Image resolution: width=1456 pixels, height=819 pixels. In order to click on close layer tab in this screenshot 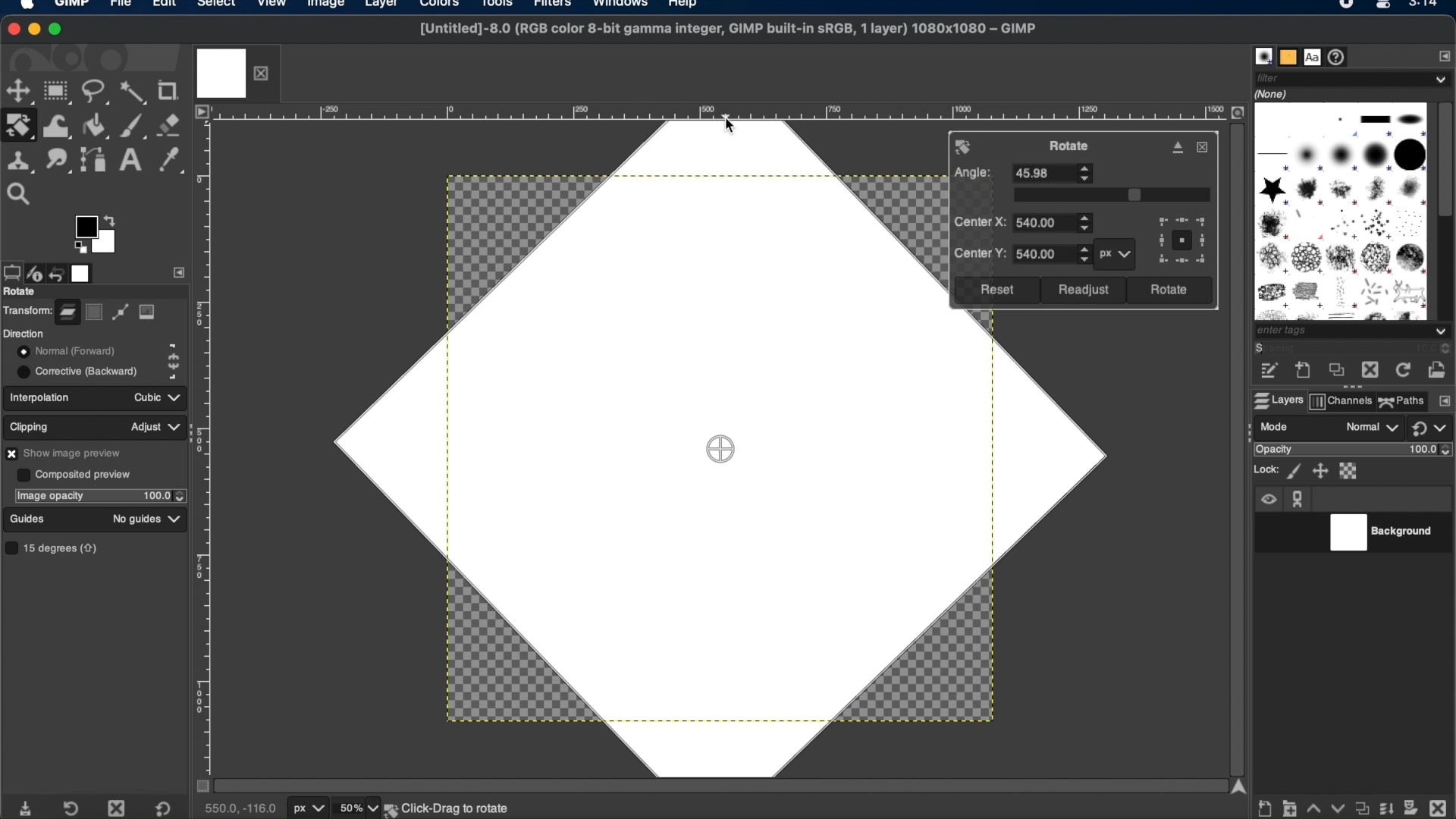, I will do `click(265, 72)`.